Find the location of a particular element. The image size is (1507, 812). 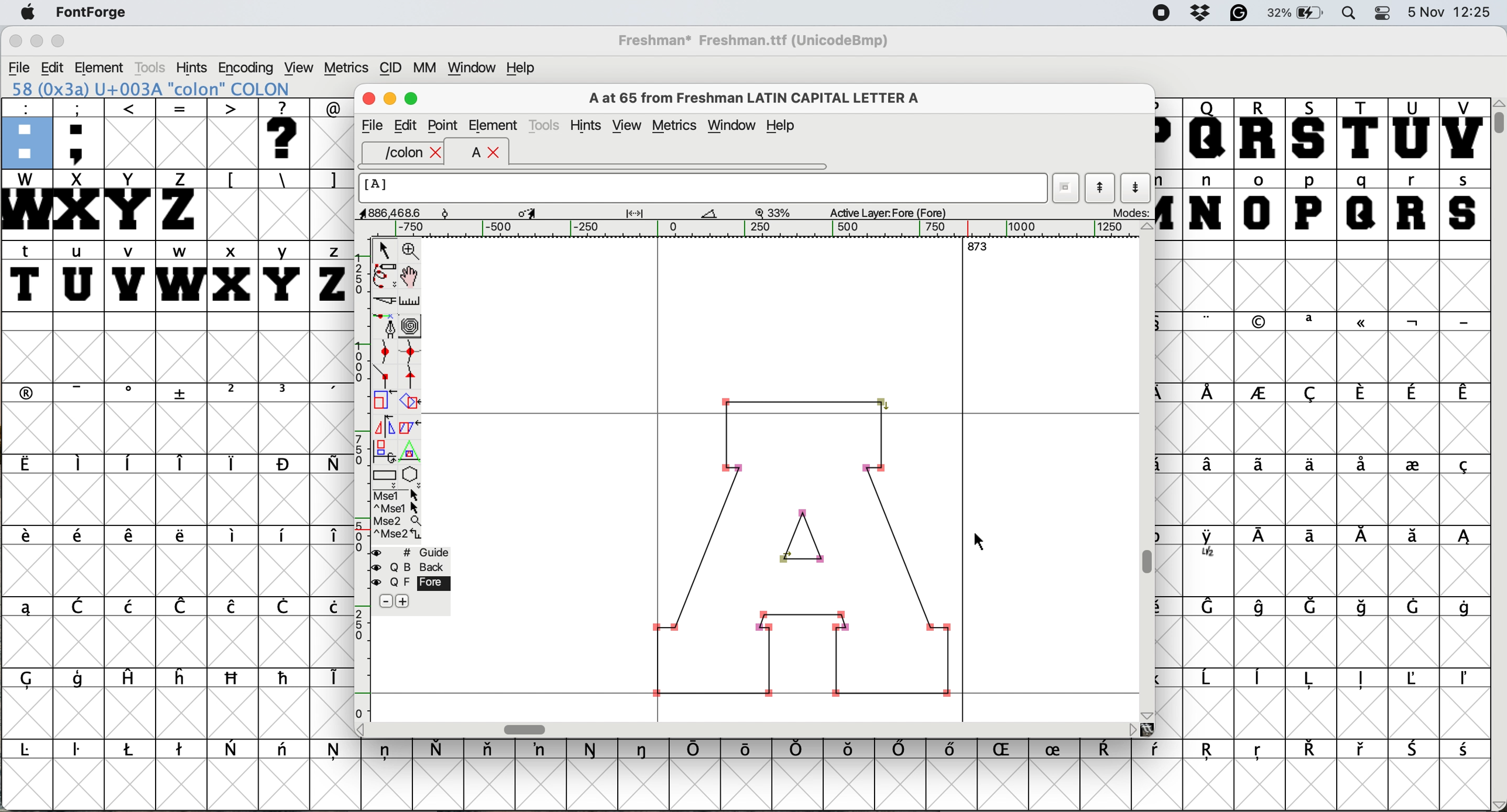

tools is located at coordinates (155, 66).